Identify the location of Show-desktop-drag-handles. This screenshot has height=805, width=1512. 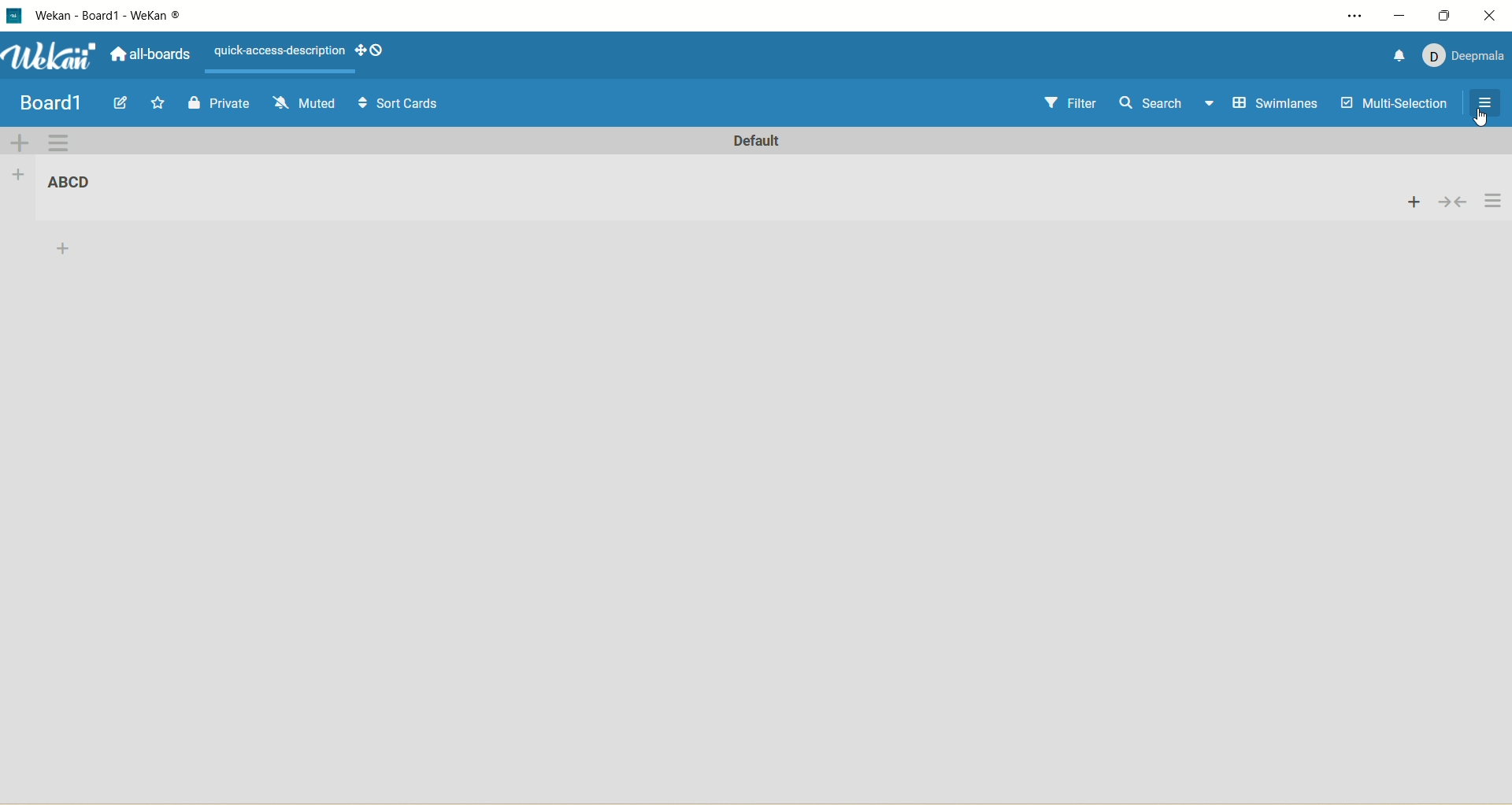
(380, 50).